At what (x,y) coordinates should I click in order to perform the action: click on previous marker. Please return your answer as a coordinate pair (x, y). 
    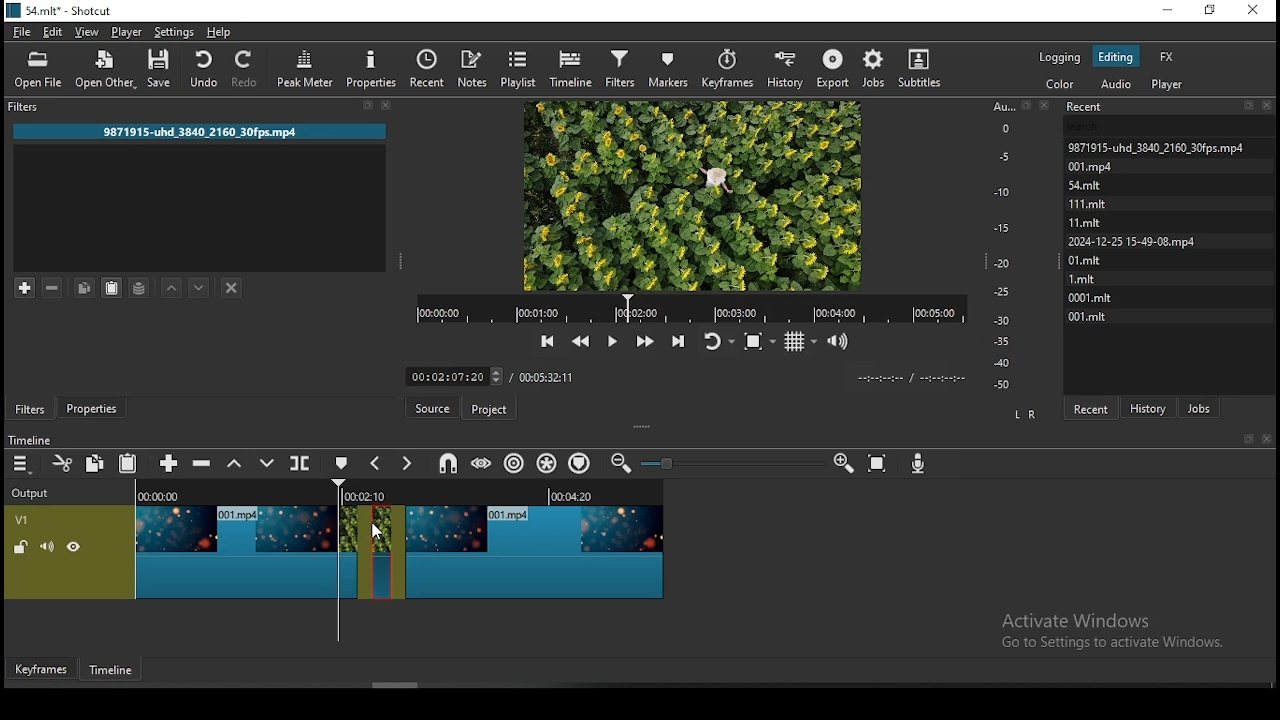
    Looking at the image, I should click on (375, 464).